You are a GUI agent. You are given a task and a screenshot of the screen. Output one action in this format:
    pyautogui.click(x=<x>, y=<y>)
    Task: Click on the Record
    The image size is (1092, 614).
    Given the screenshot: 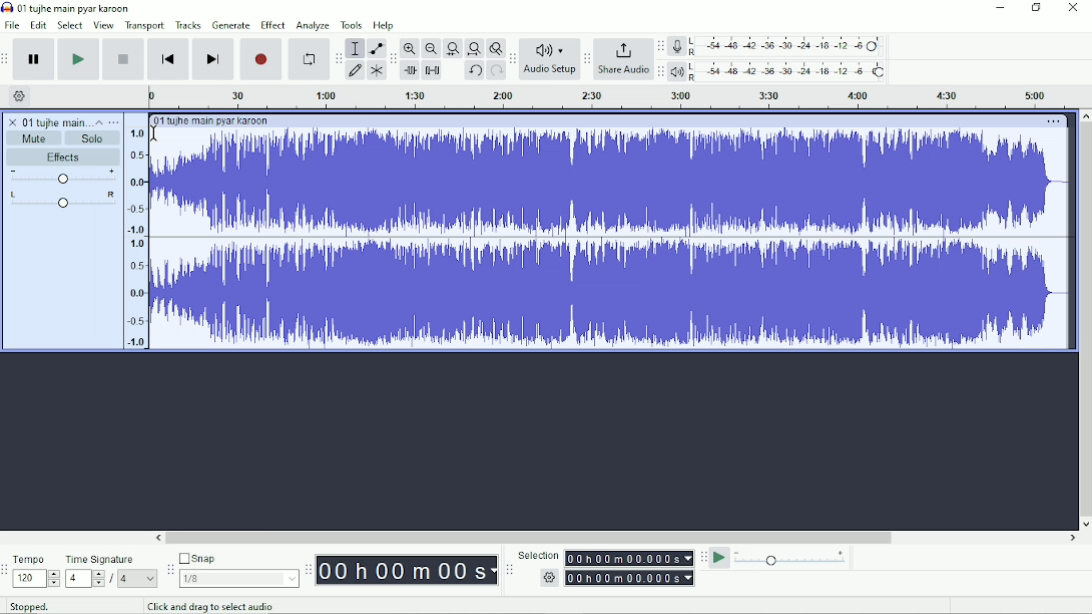 What is the action you would take?
    pyautogui.click(x=261, y=59)
    